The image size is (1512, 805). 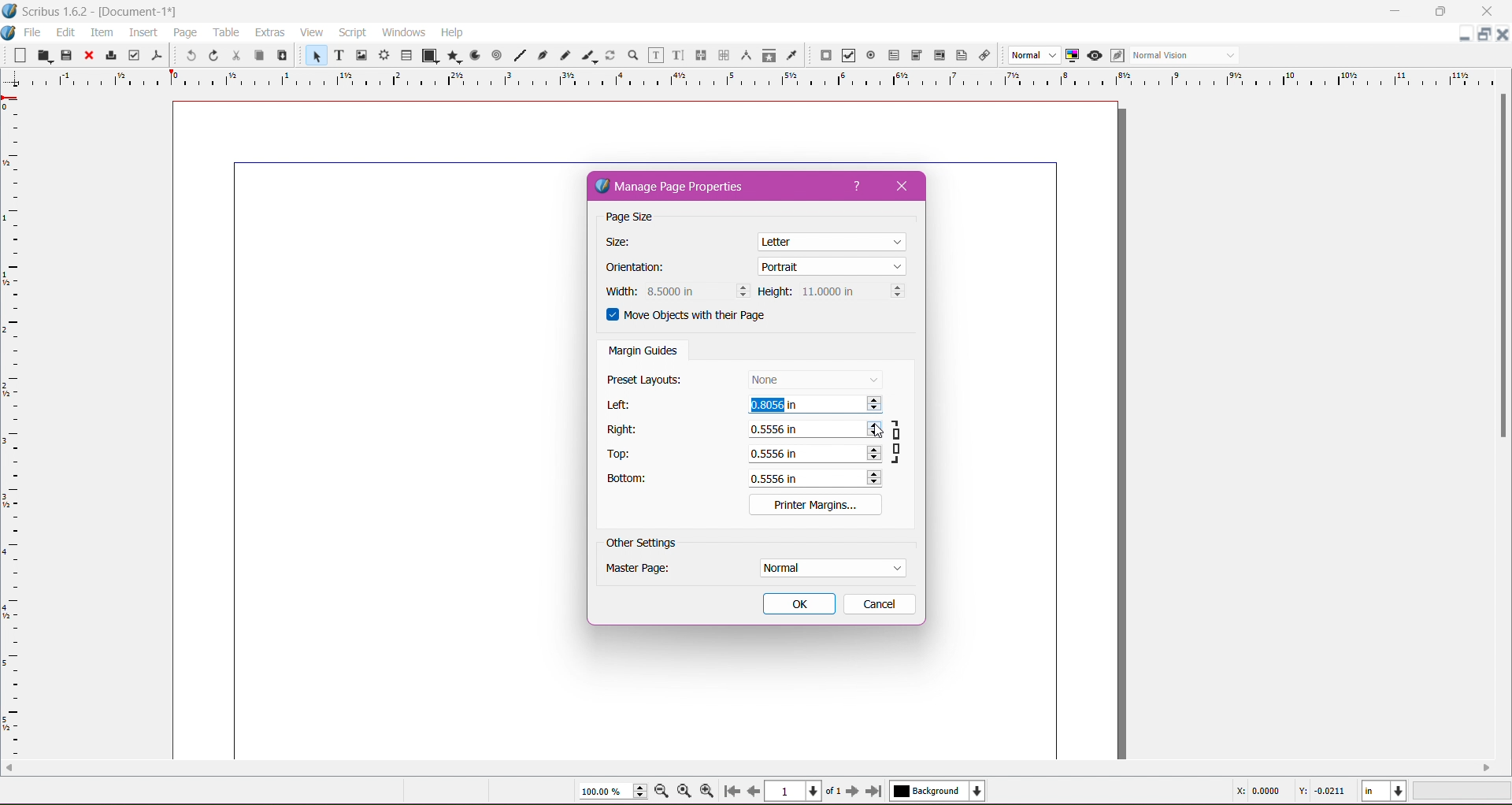 I want to click on Top, so click(x=624, y=454).